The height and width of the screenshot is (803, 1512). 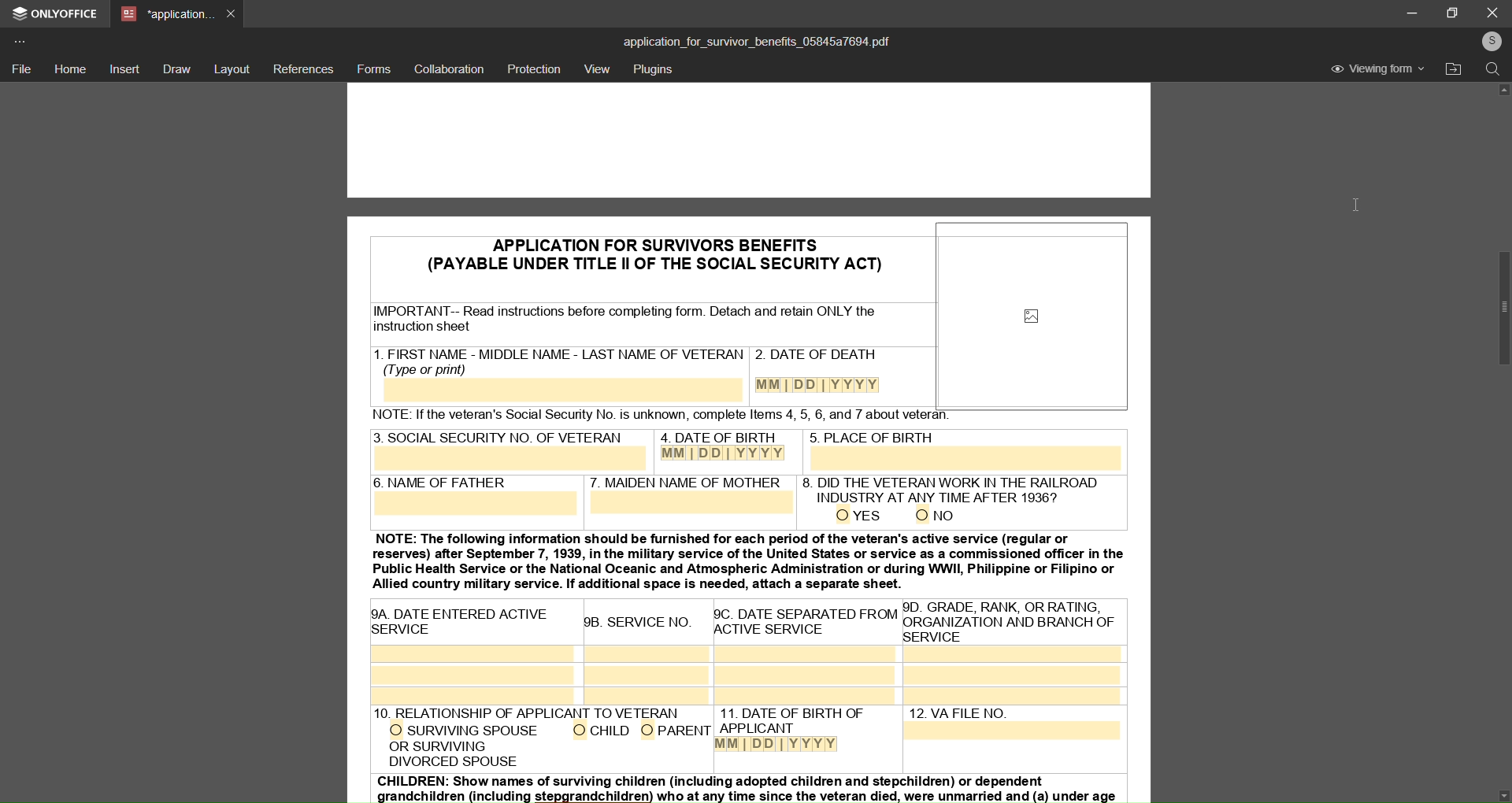 I want to click on insert, so click(x=126, y=70).